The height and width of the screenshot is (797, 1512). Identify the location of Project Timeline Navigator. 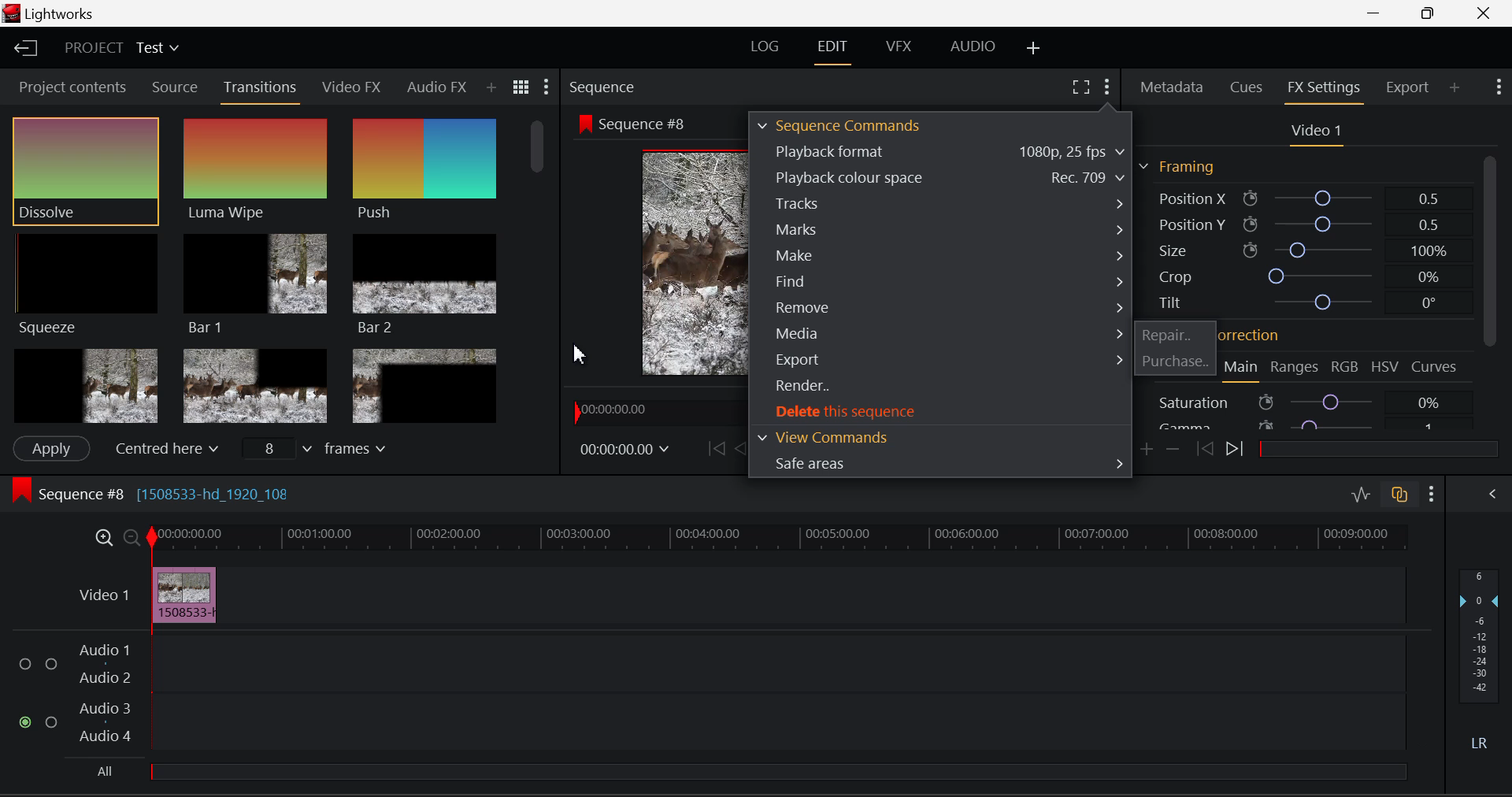
(653, 410).